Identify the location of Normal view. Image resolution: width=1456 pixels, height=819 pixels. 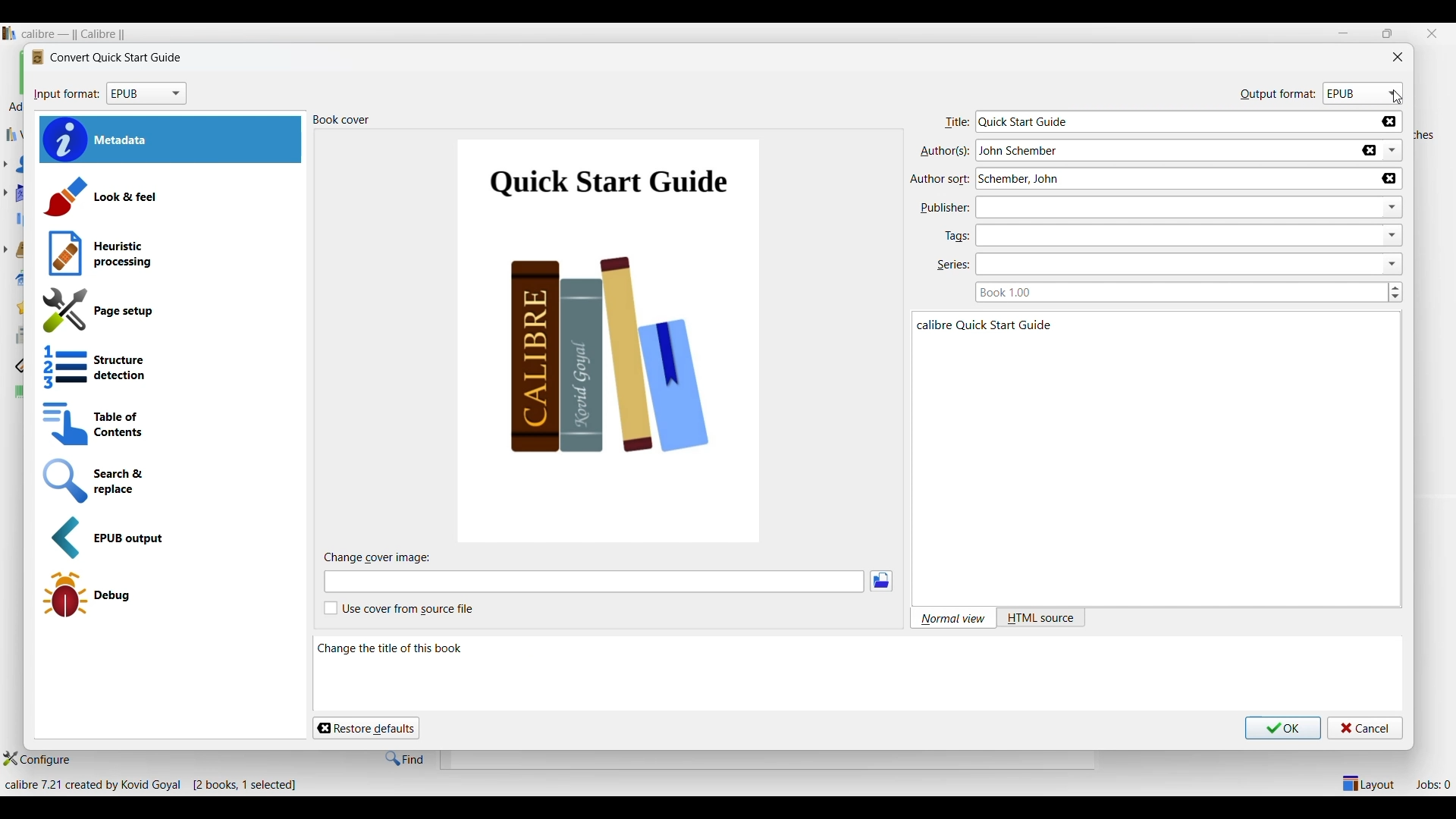
(954, 619).